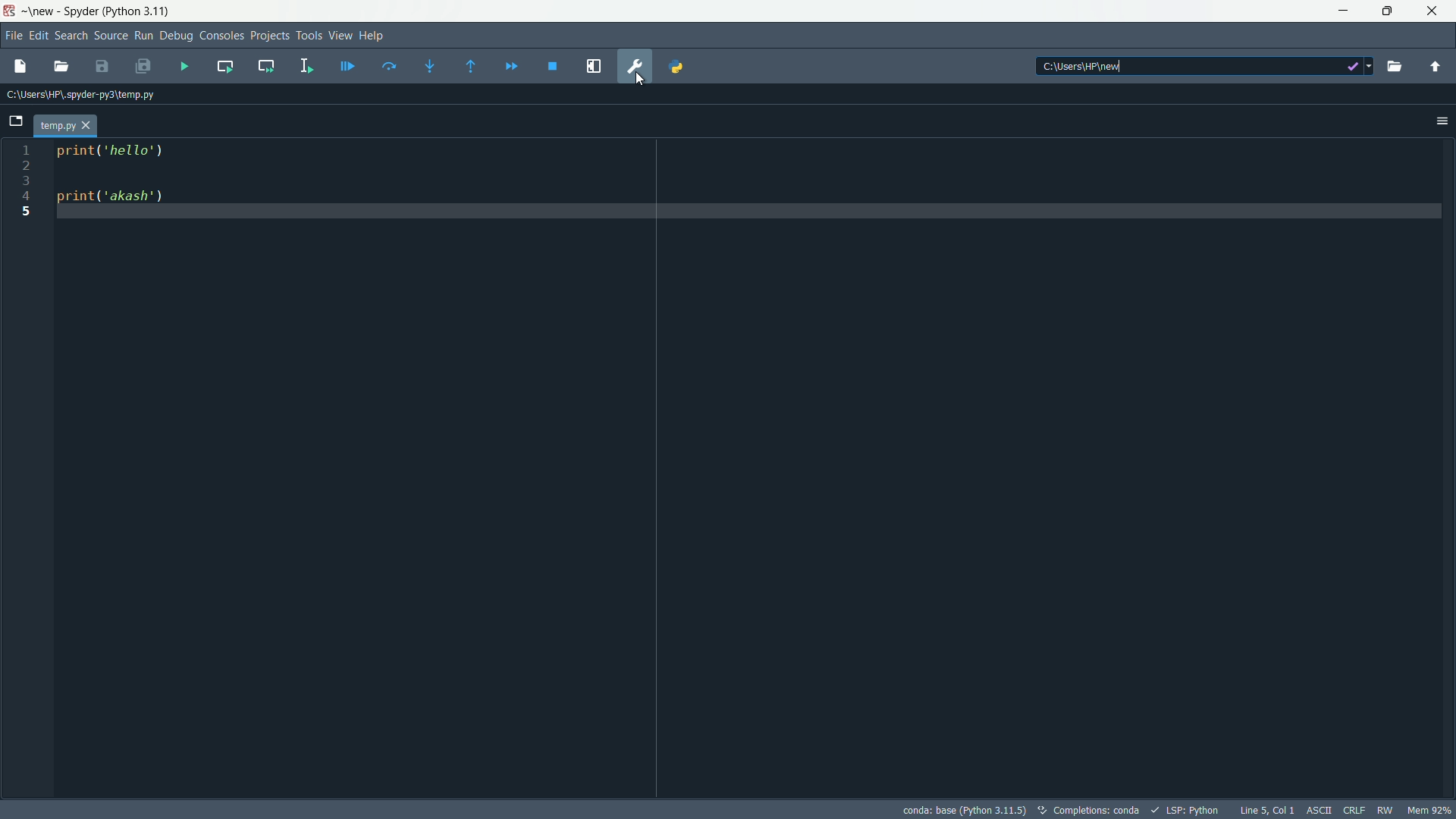 This screenshot has width=1456, height=819. I want to click on print('hello') print('akash'), so click(752, 188).